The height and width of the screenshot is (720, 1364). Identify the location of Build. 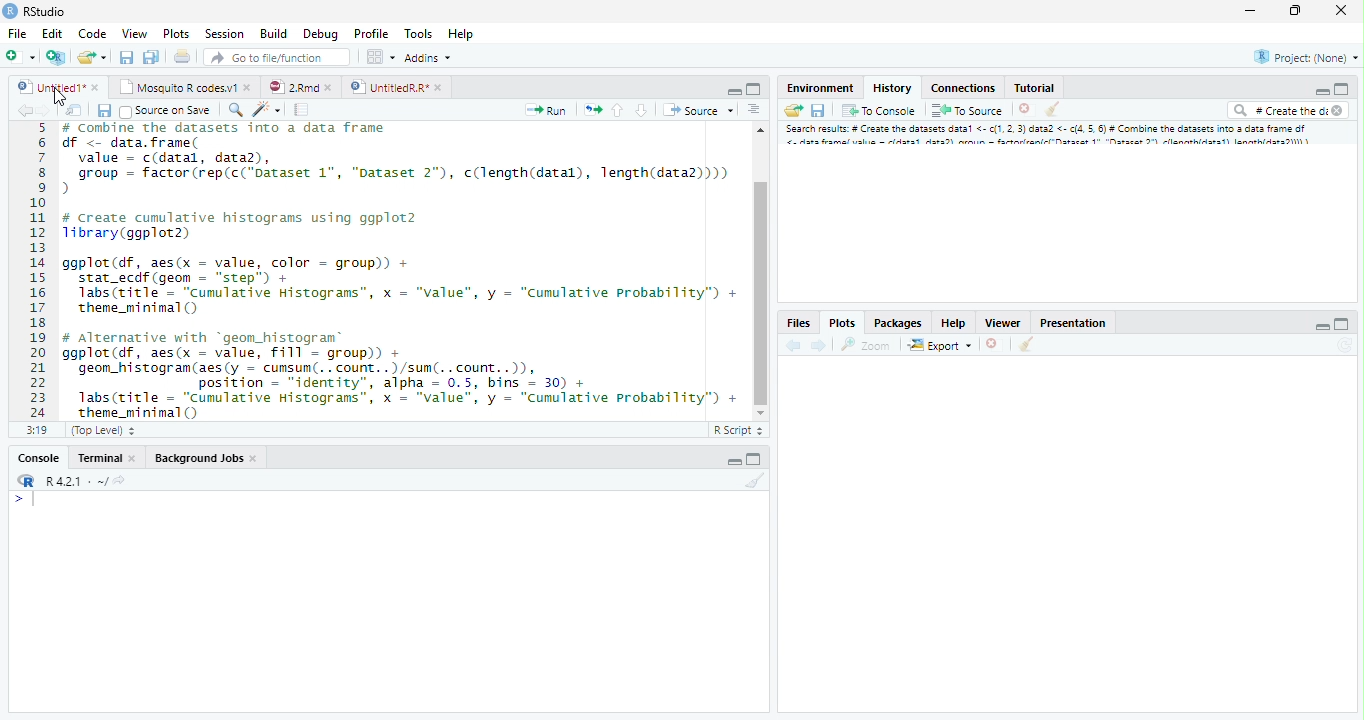
(275, 34).